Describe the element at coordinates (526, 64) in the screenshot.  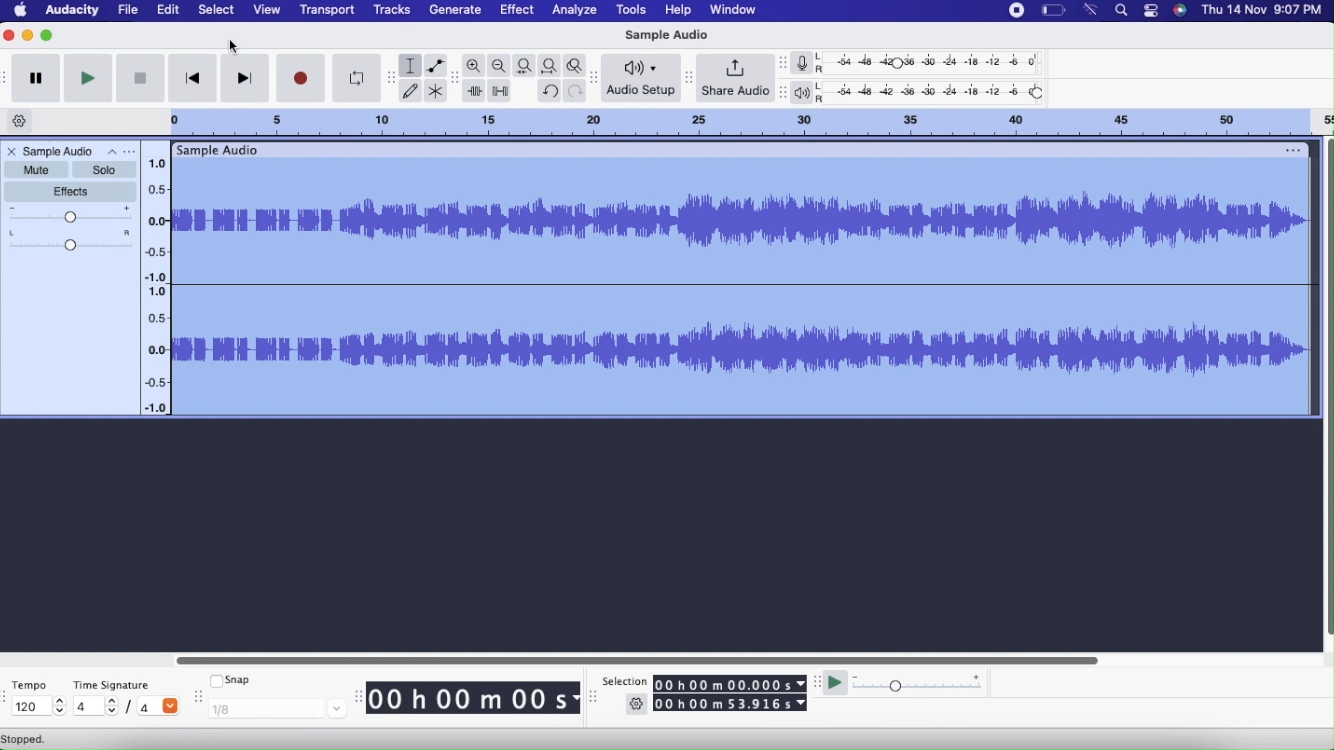
I see `Fit selection to width` at that location.